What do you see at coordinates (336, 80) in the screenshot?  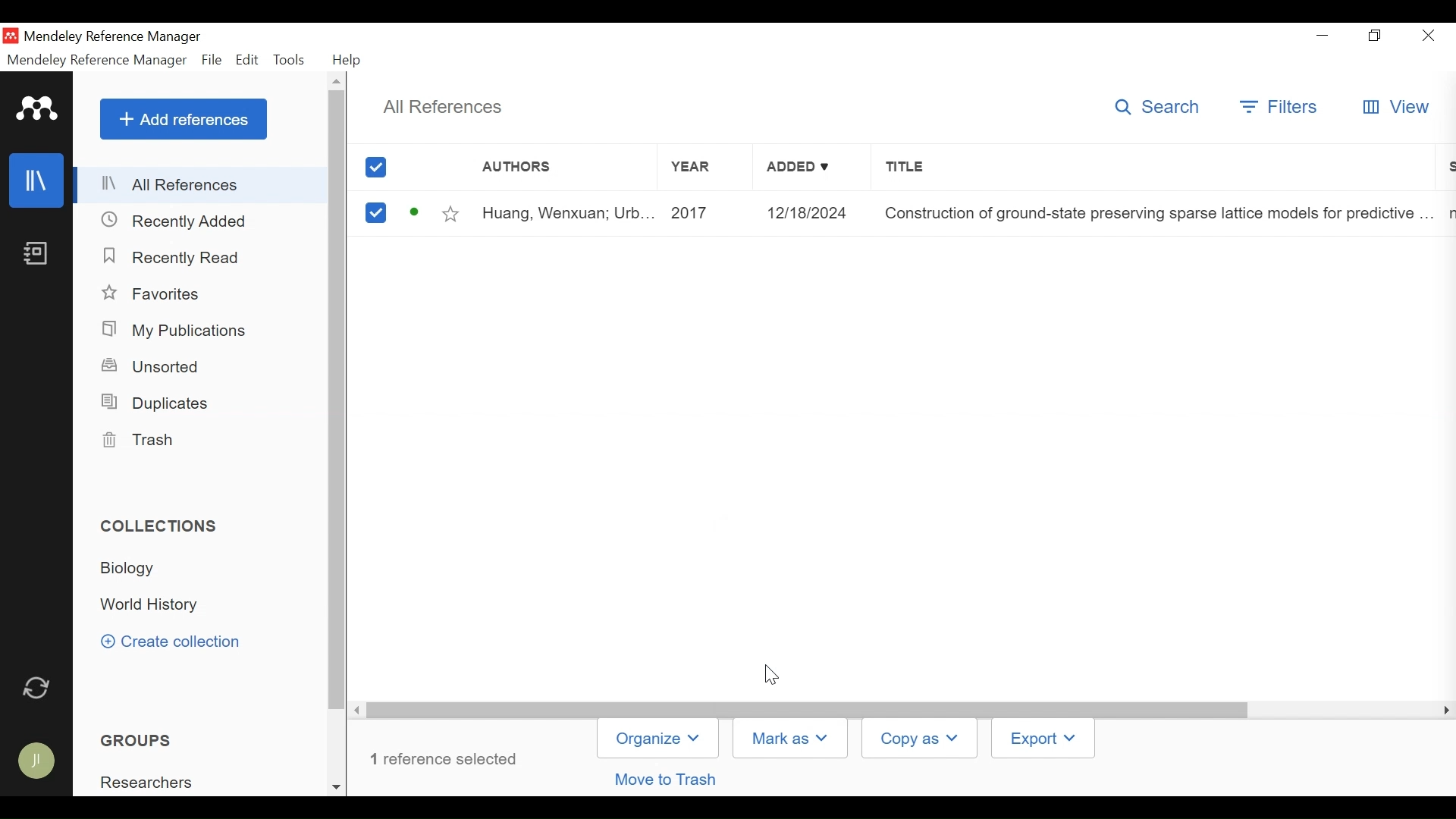 I see `Scroll up` at bounding box center [336, 80].